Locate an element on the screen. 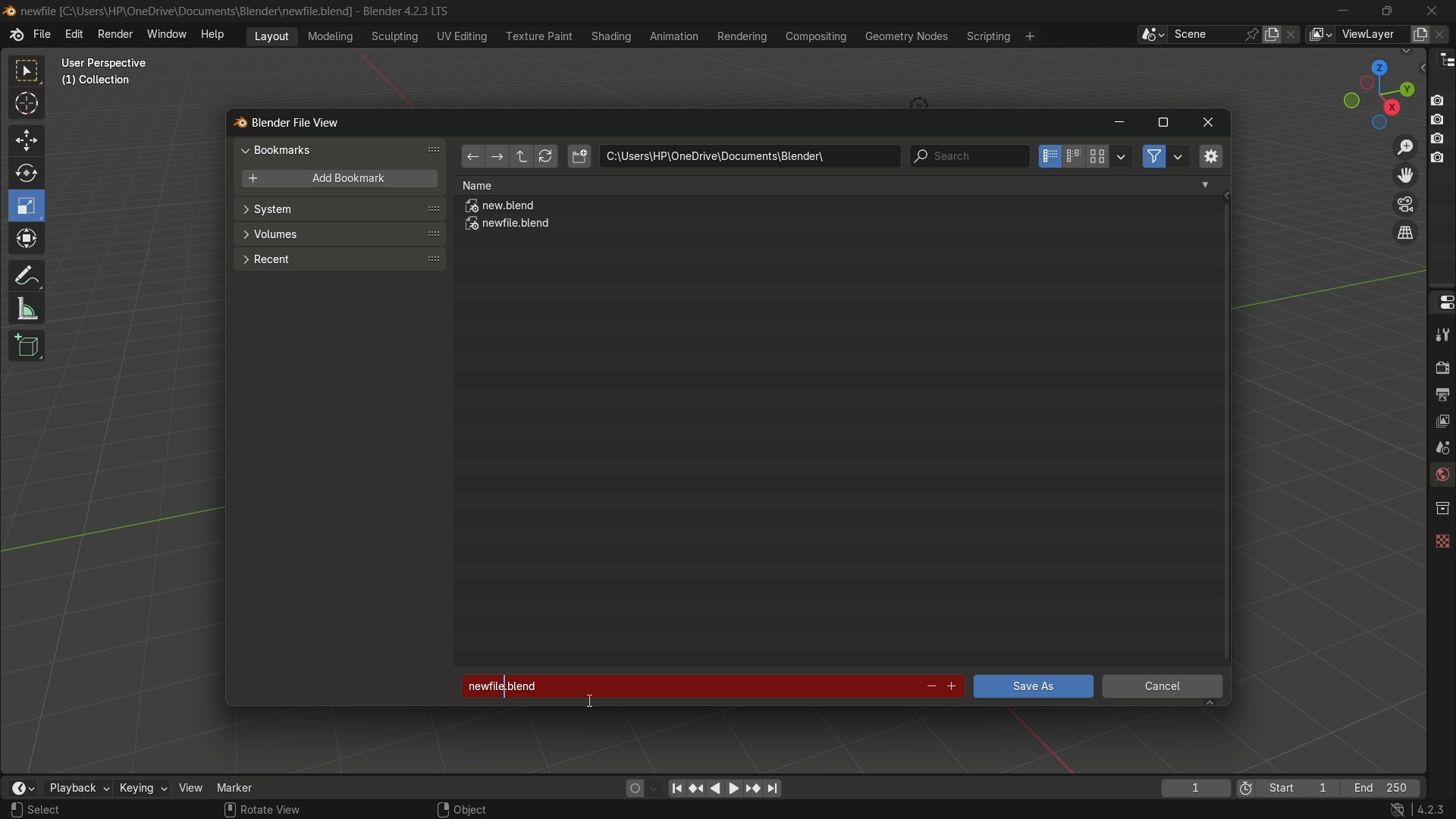  preset view is located at coordinates (1374, 91).